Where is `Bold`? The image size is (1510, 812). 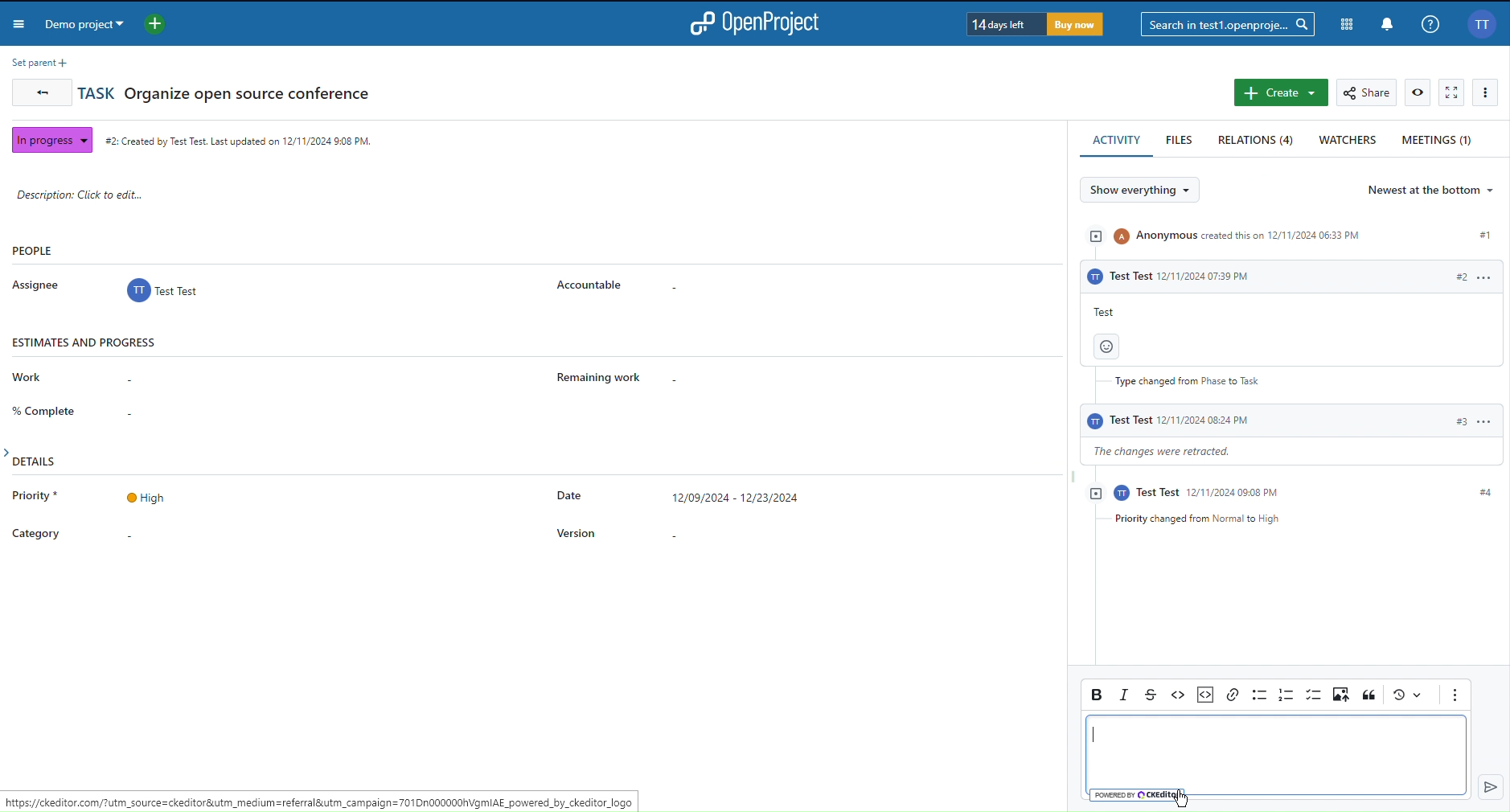
Bold is located at coordinates (1096, 693).